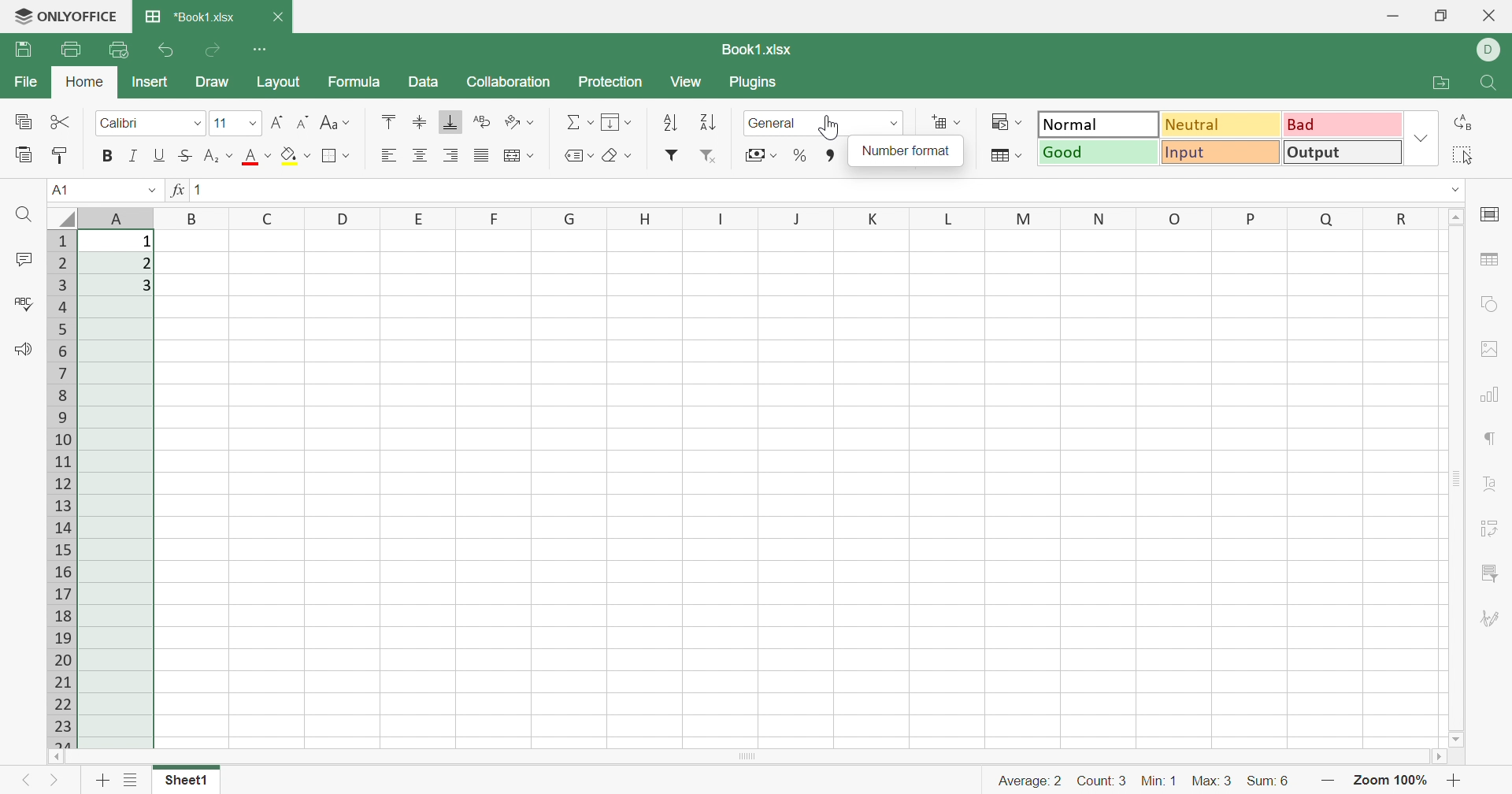  I want to click on Image settings, so click(1484, 347).